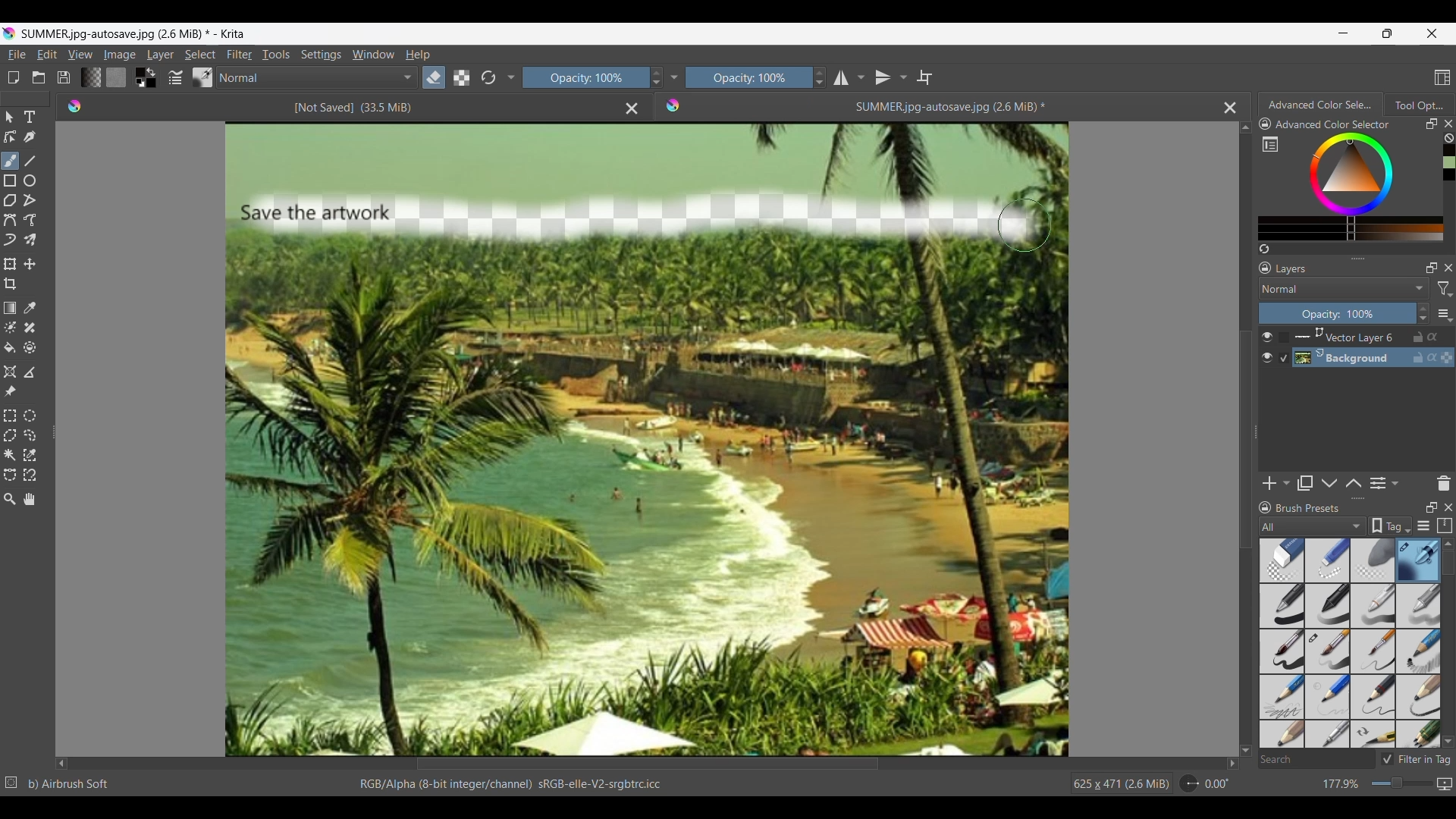  I want to click on View/Change layer properties, so click(1385, 483).